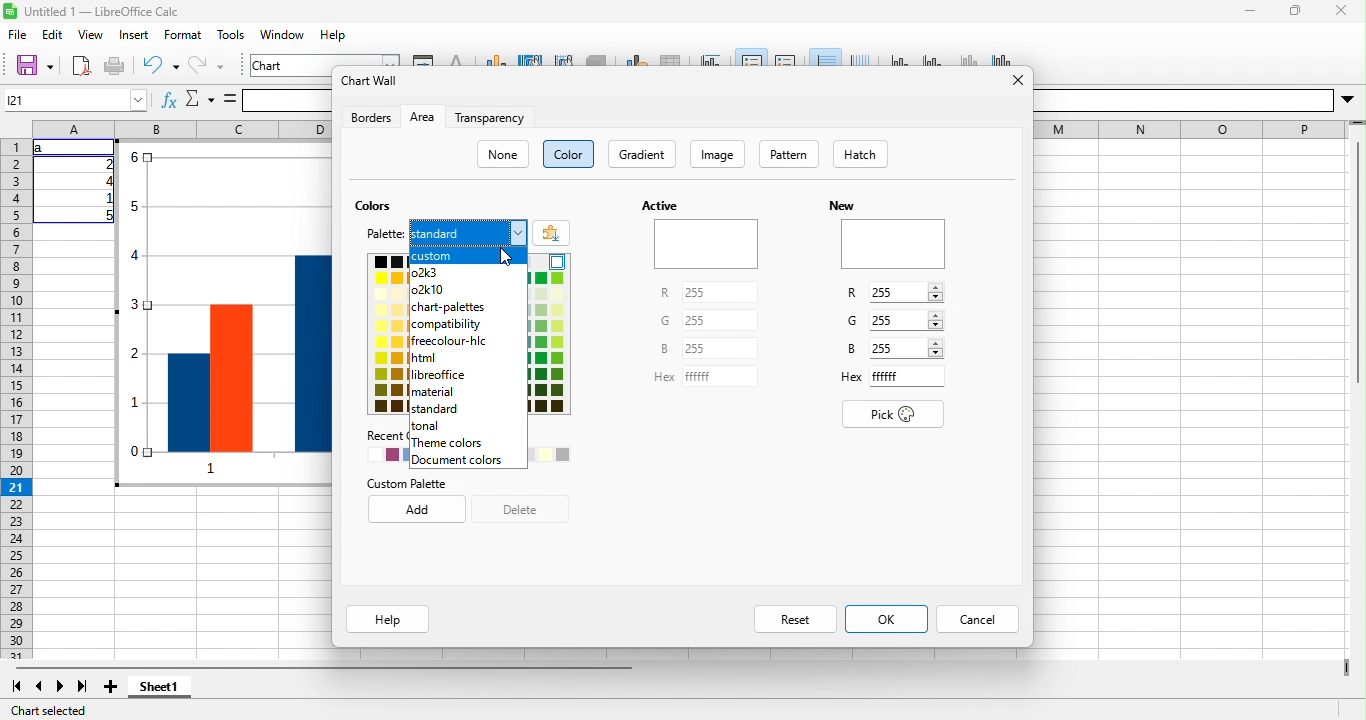 This screenshot has width=1366, height=720. What do you see at coordinates (1183, 101) in the screenshot?
I see `` at bounding box center [1183, 101].